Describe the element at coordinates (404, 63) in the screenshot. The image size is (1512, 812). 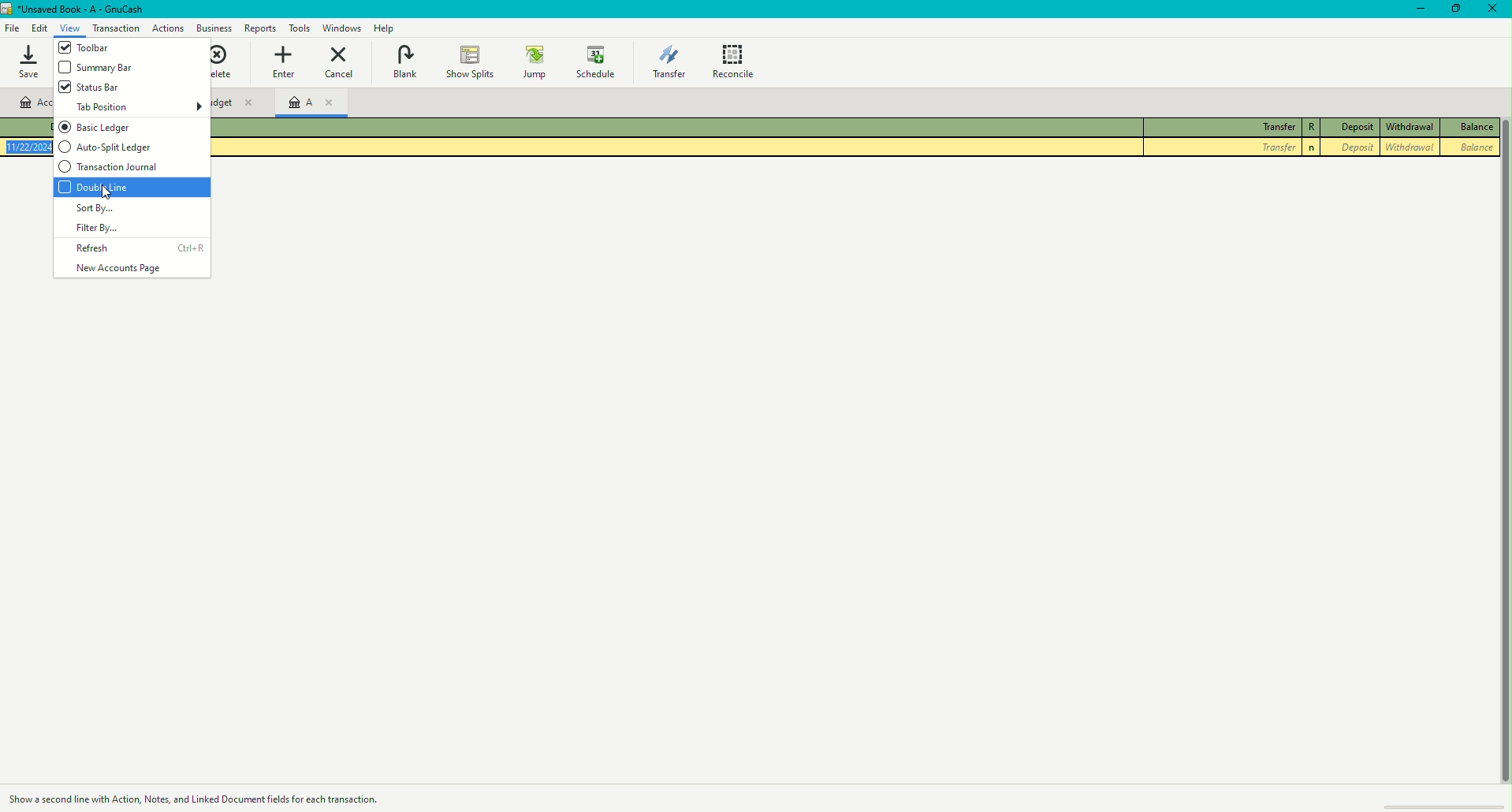
I see `Blank` at that location.